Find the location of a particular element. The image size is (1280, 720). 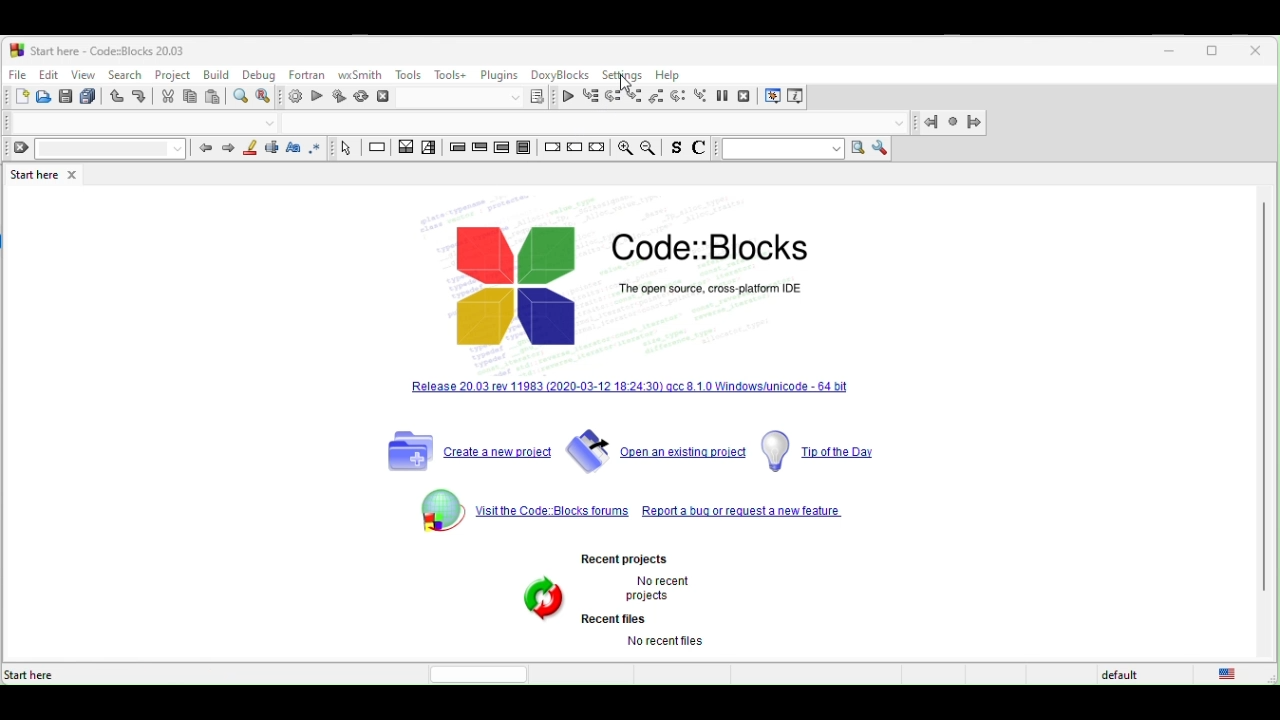

next instruction is located at coordinates (679, 97).